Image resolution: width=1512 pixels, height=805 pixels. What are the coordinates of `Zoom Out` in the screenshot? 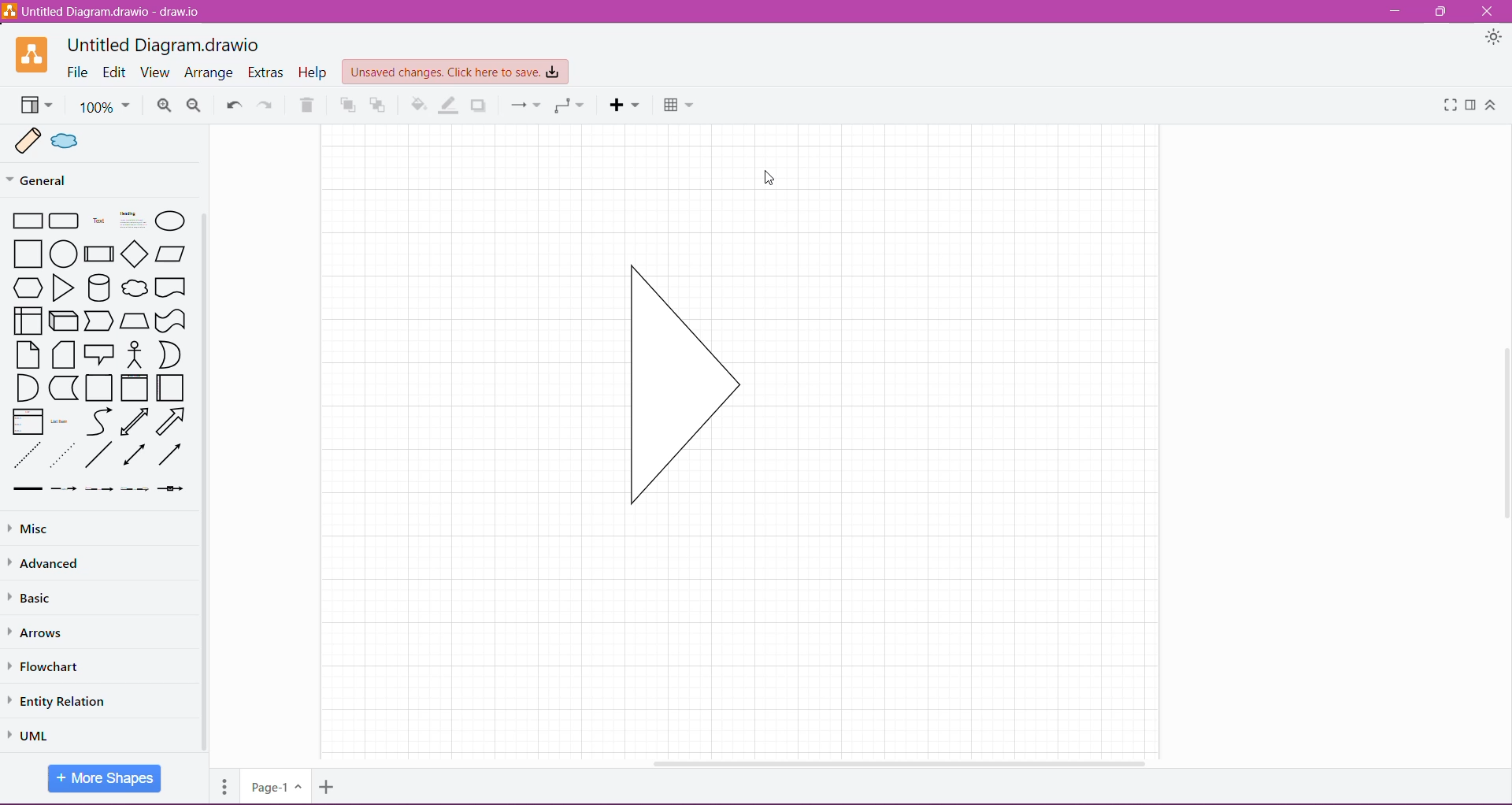 It's located at (191, 106).